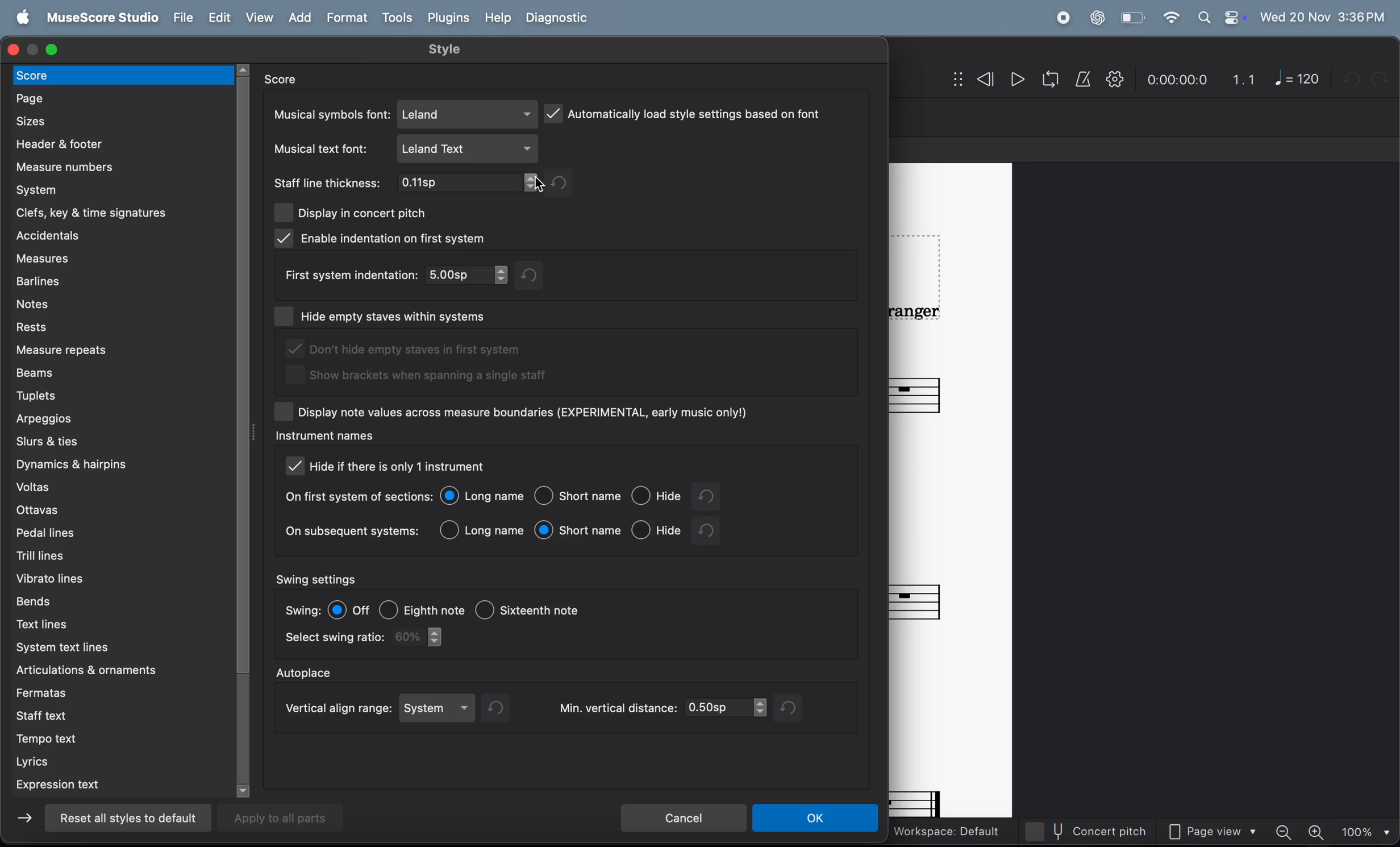 This screenshot has height=847, width=1400. What do you see at coordinates (1085, 80) in the screenshot?
I see `metronome` at bounding box center [1085, 80].